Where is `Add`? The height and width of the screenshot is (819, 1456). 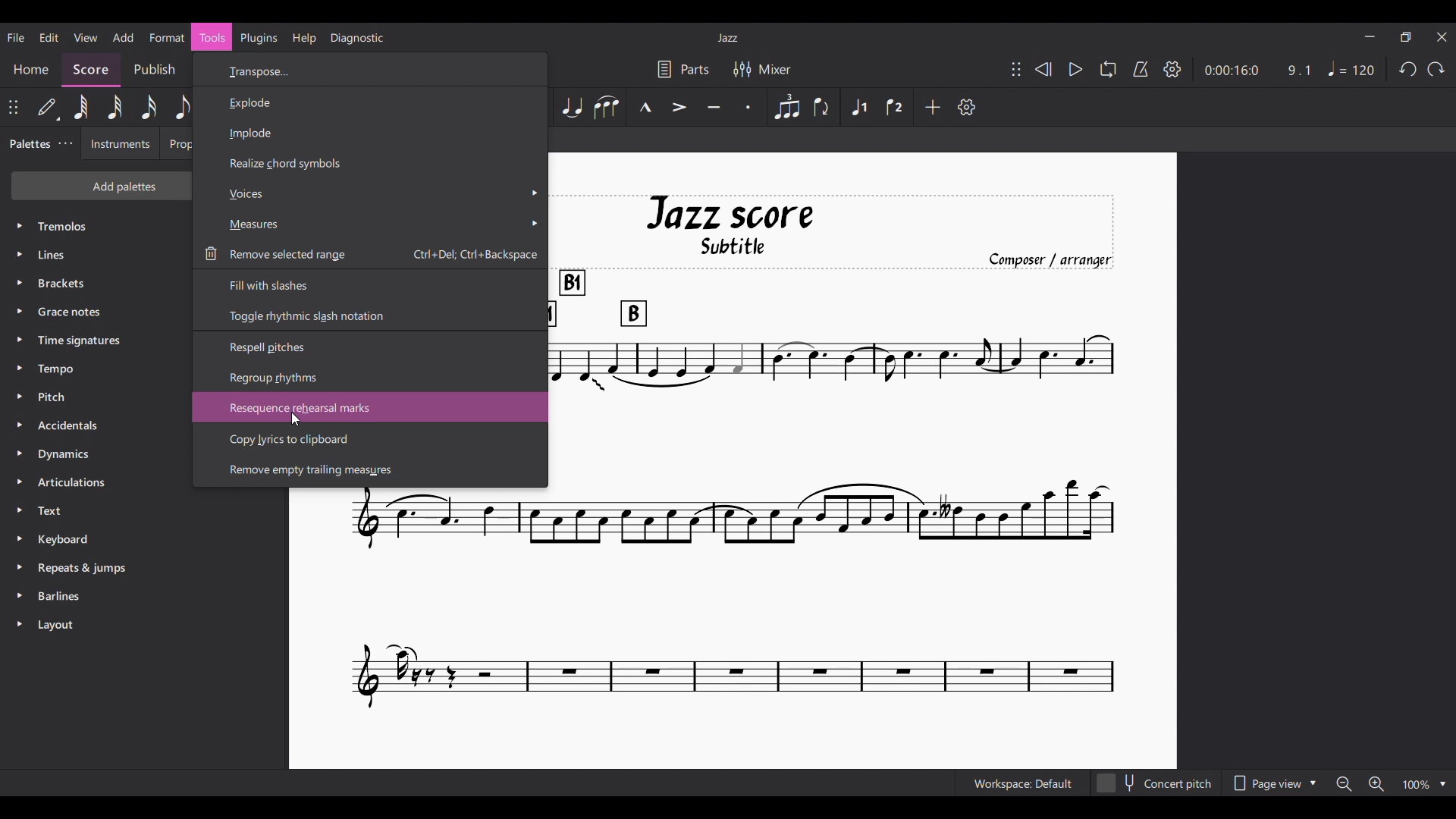
Add is located at coordinates (934, 107).